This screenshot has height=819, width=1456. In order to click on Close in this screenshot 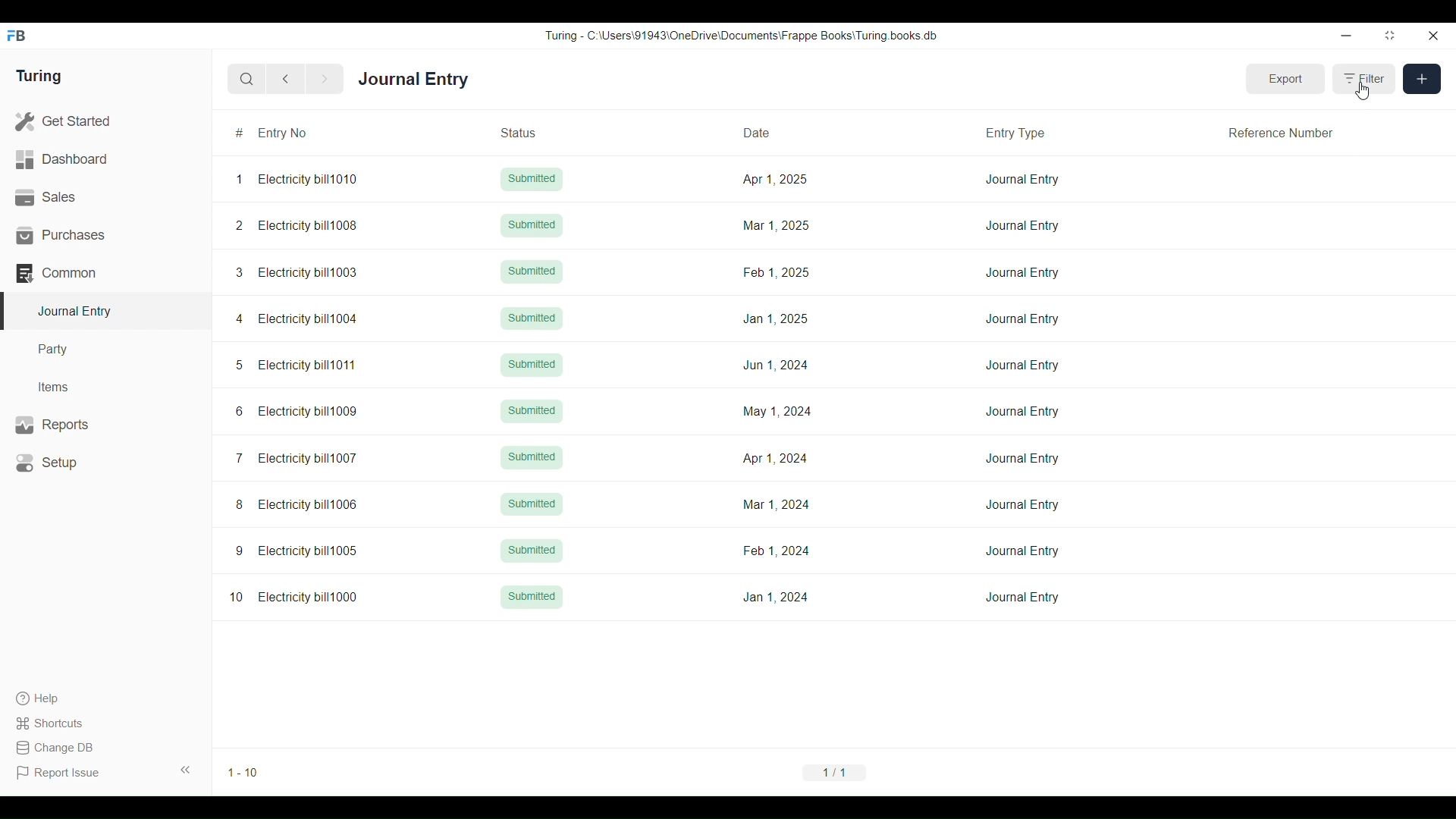, I will do `click(1433, 36)`.